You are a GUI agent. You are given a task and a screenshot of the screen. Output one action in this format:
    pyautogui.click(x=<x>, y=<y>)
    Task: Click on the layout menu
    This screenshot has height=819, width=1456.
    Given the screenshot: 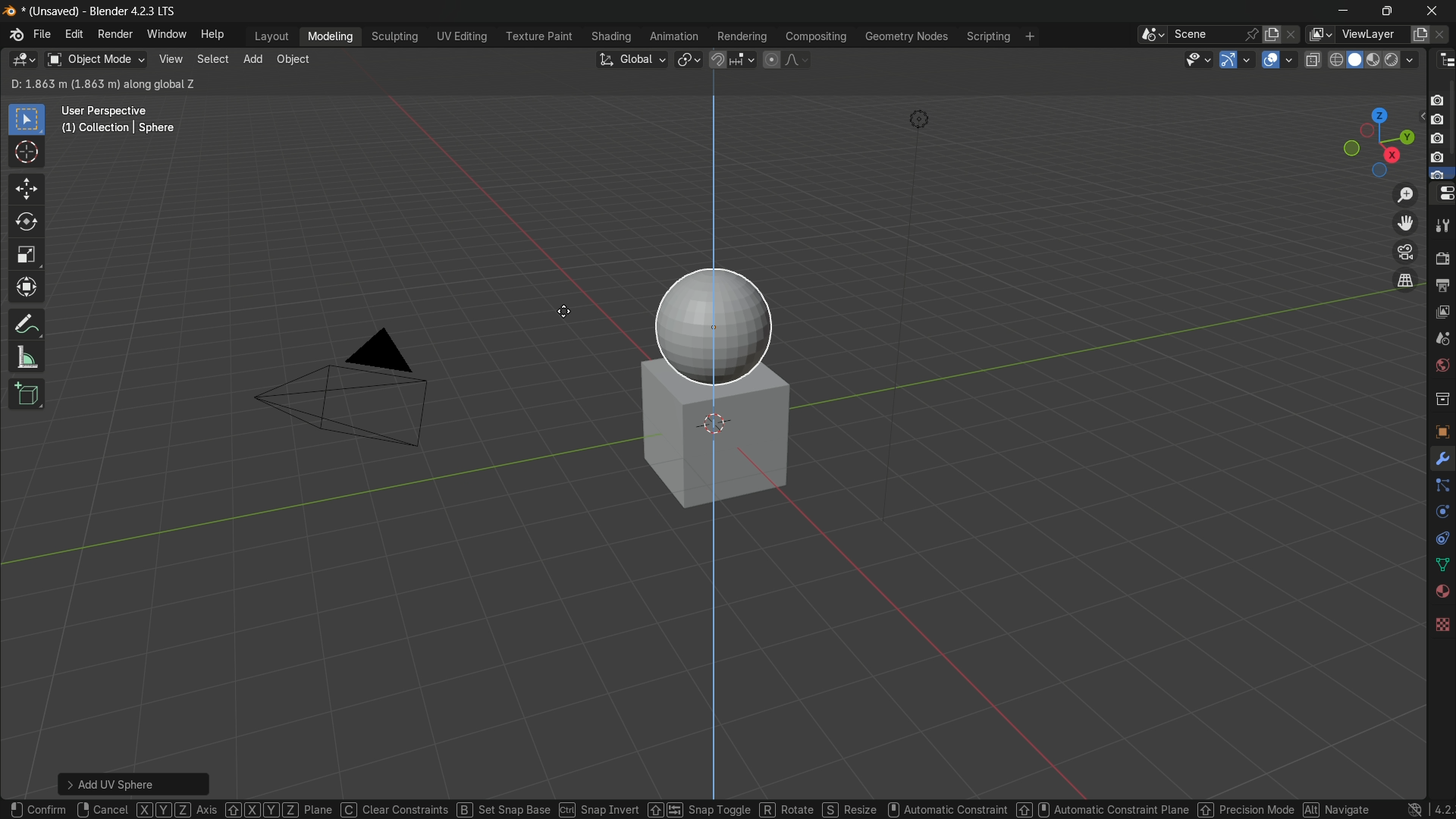 What is the action you would take?
    pyautogui.click(x=270, y=36)
    